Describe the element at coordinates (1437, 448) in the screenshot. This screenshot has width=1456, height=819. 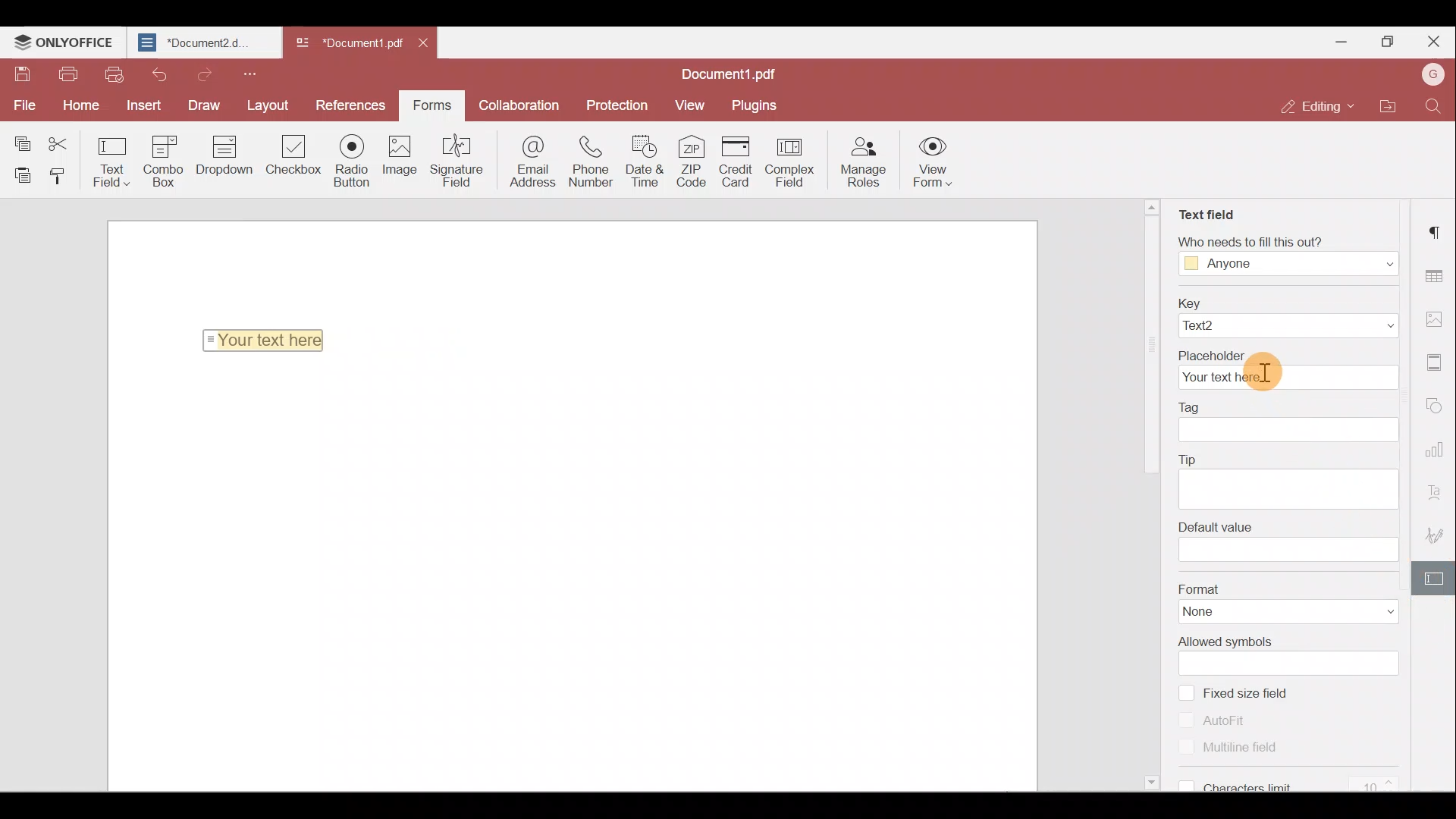
I see `Chart settings` at that location.